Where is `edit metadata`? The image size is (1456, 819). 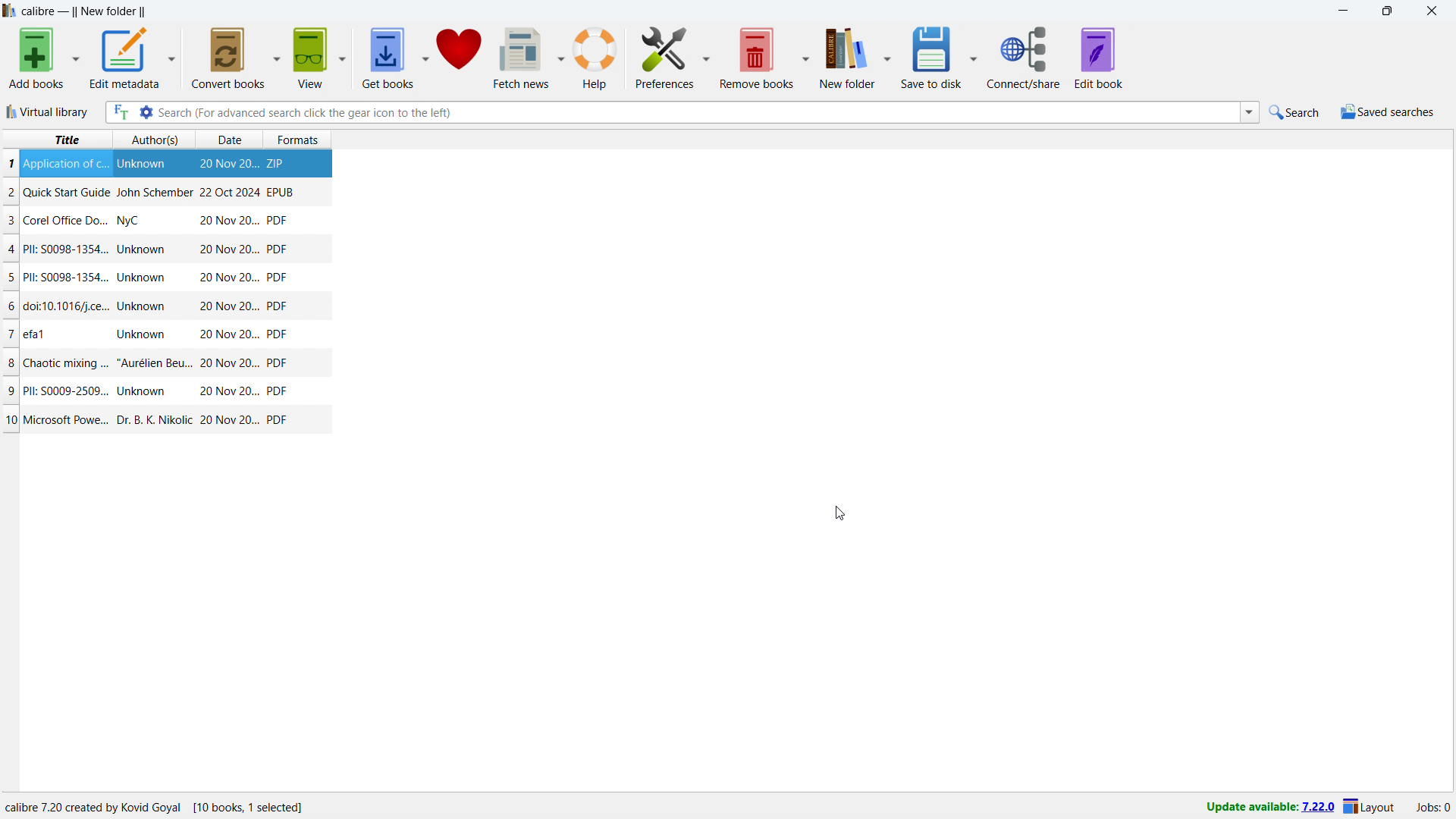
edit metadata is located at coordinates (123, 58).